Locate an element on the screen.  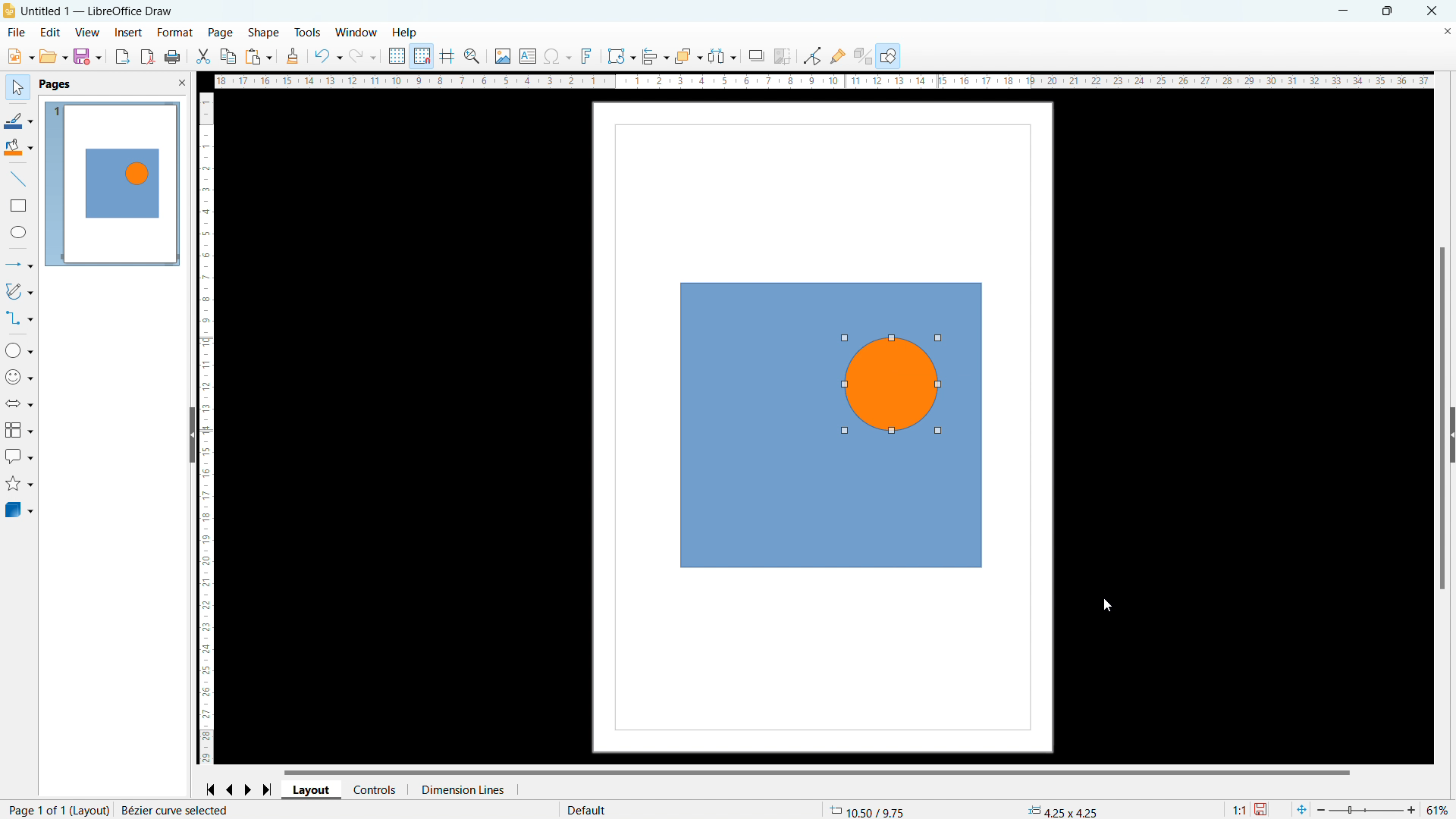
select tool is located at coordinates (17, 86).